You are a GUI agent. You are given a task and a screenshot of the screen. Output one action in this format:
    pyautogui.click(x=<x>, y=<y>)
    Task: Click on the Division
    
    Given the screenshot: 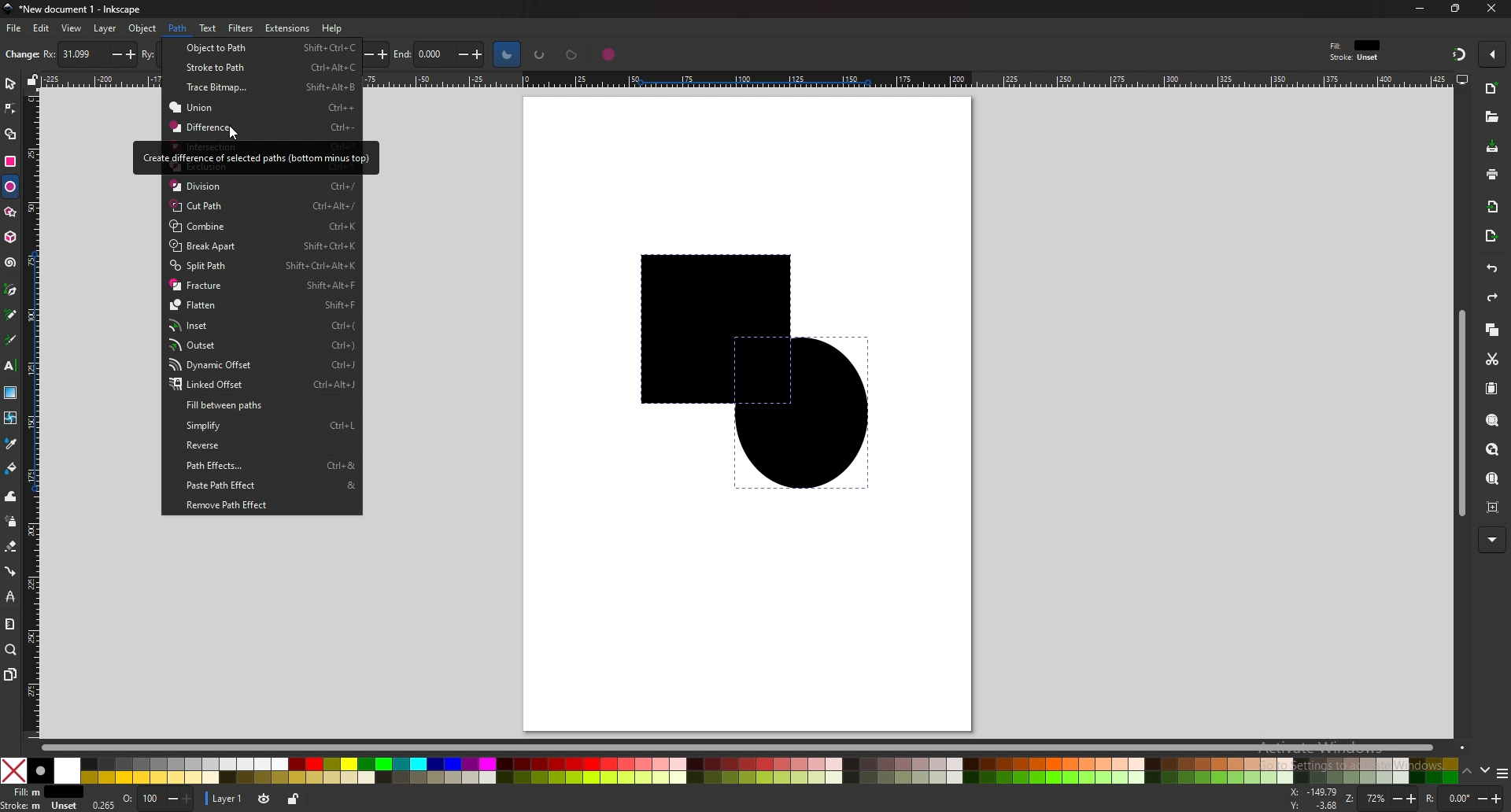 What is the action you would take?
    pyautogui.click(x=263, y=186)
    